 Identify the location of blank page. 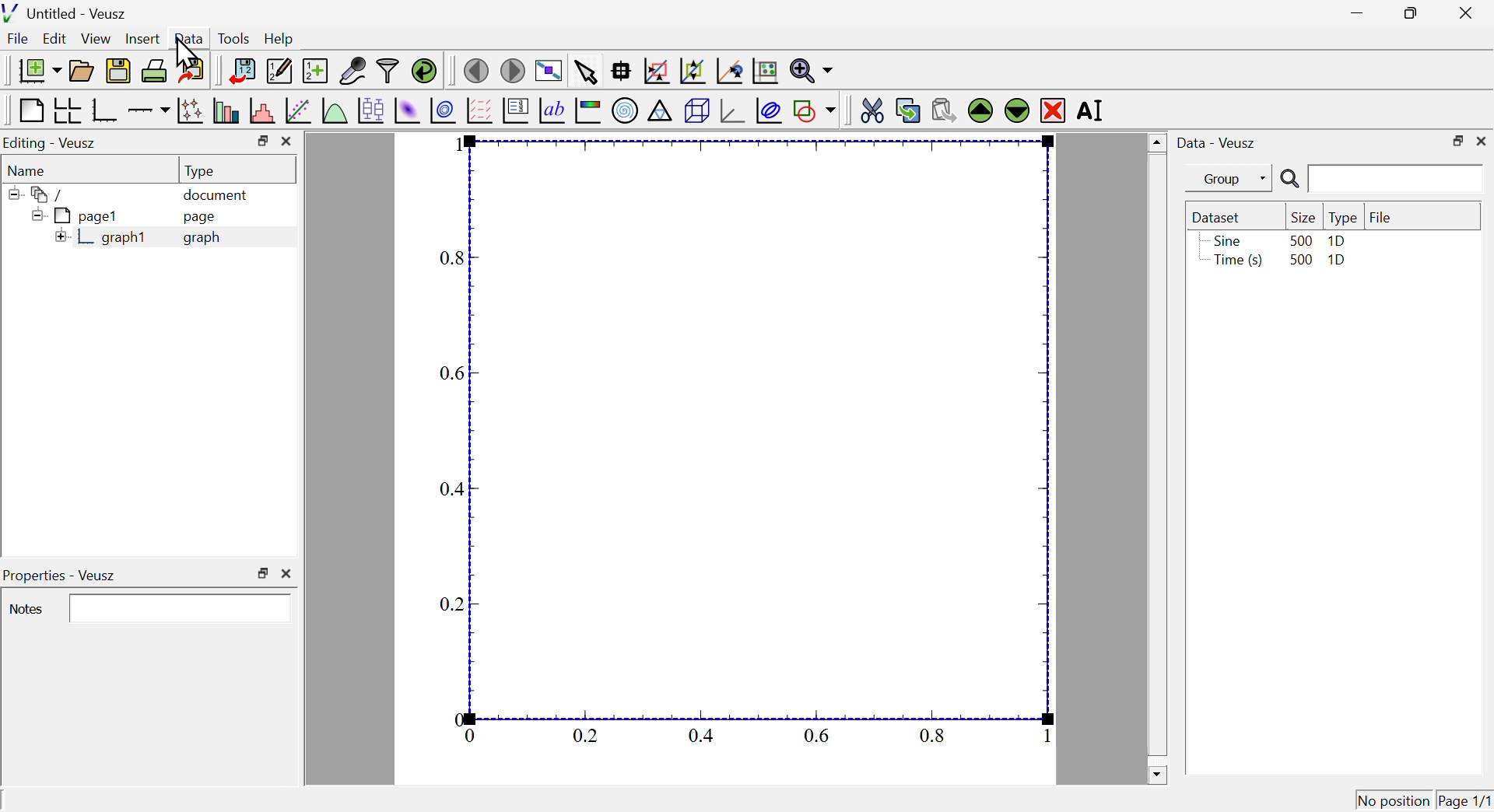
(30, 110).